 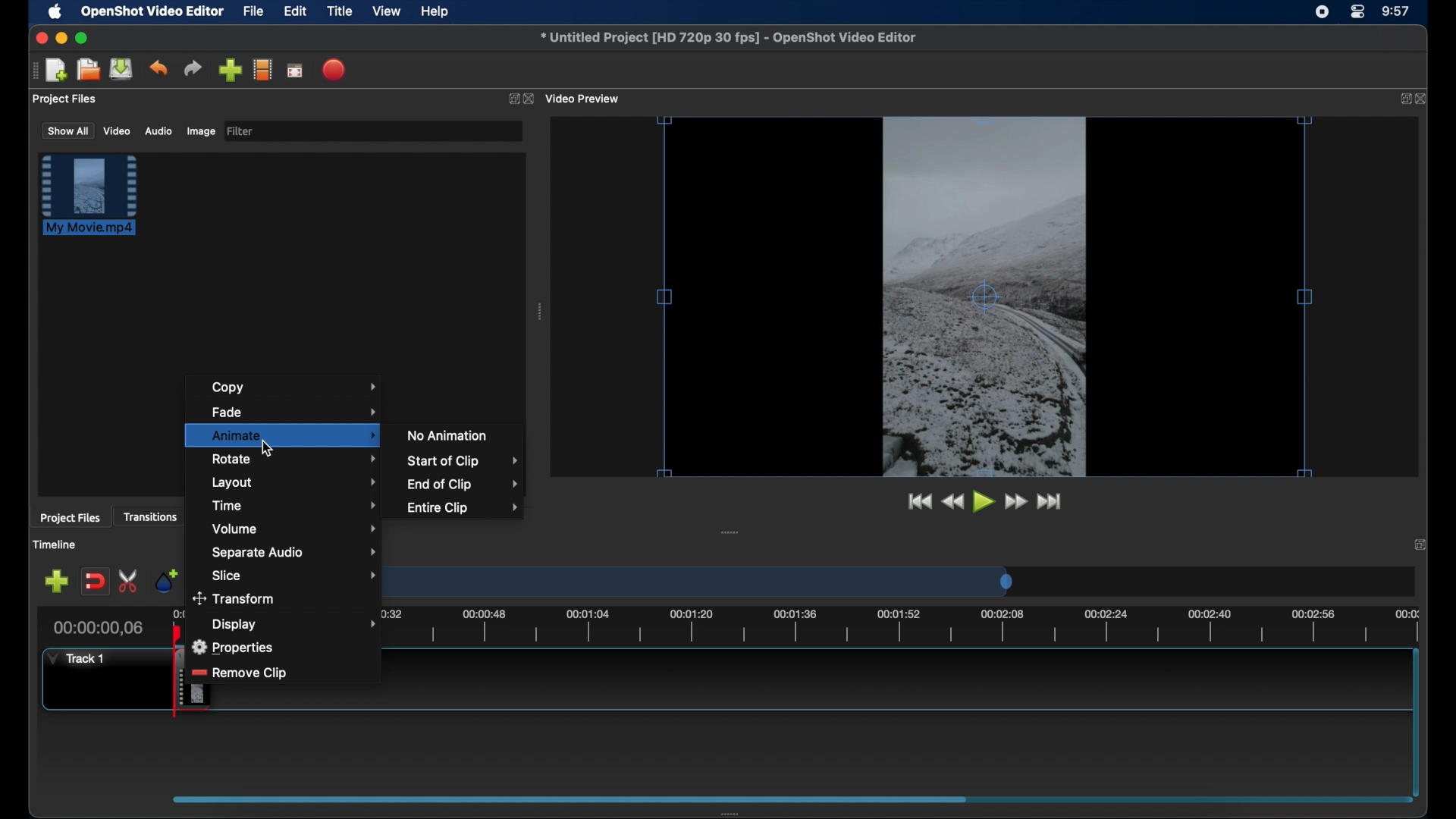 I want to click on jumpt to  end, so click(x=1050, y=501).